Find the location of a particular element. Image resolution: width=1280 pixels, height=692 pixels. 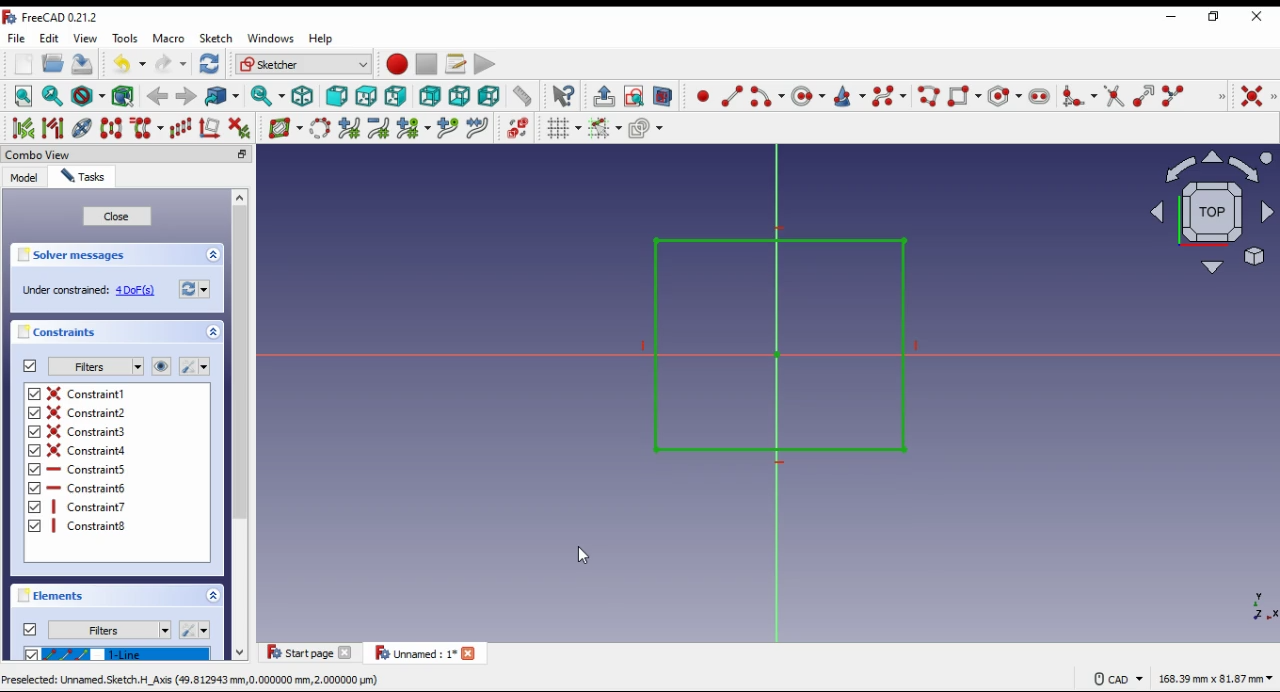

axis is located at coordinates (1253, 603).